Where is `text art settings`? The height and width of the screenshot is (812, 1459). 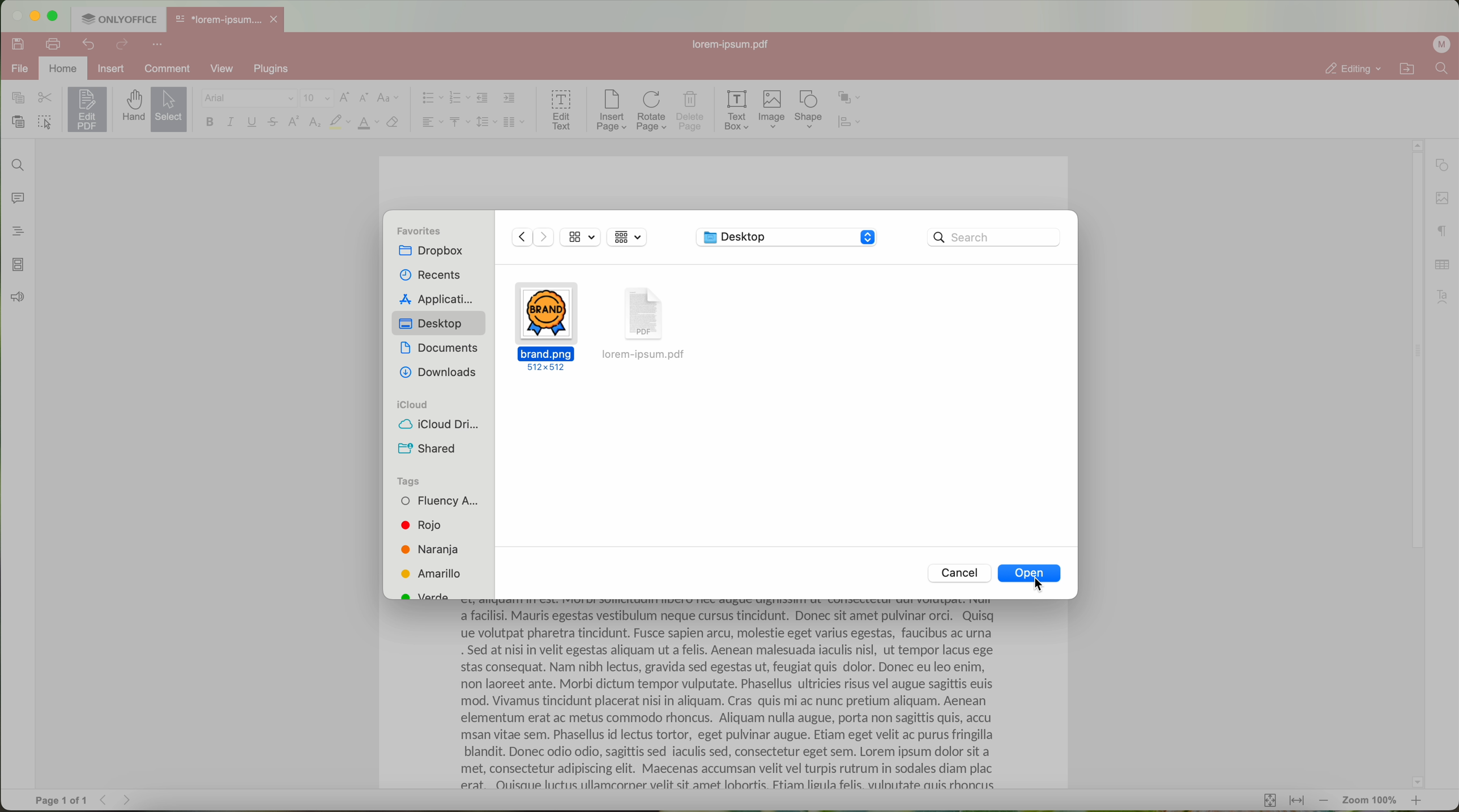 text art settings is located at coordinates (1445, 297).